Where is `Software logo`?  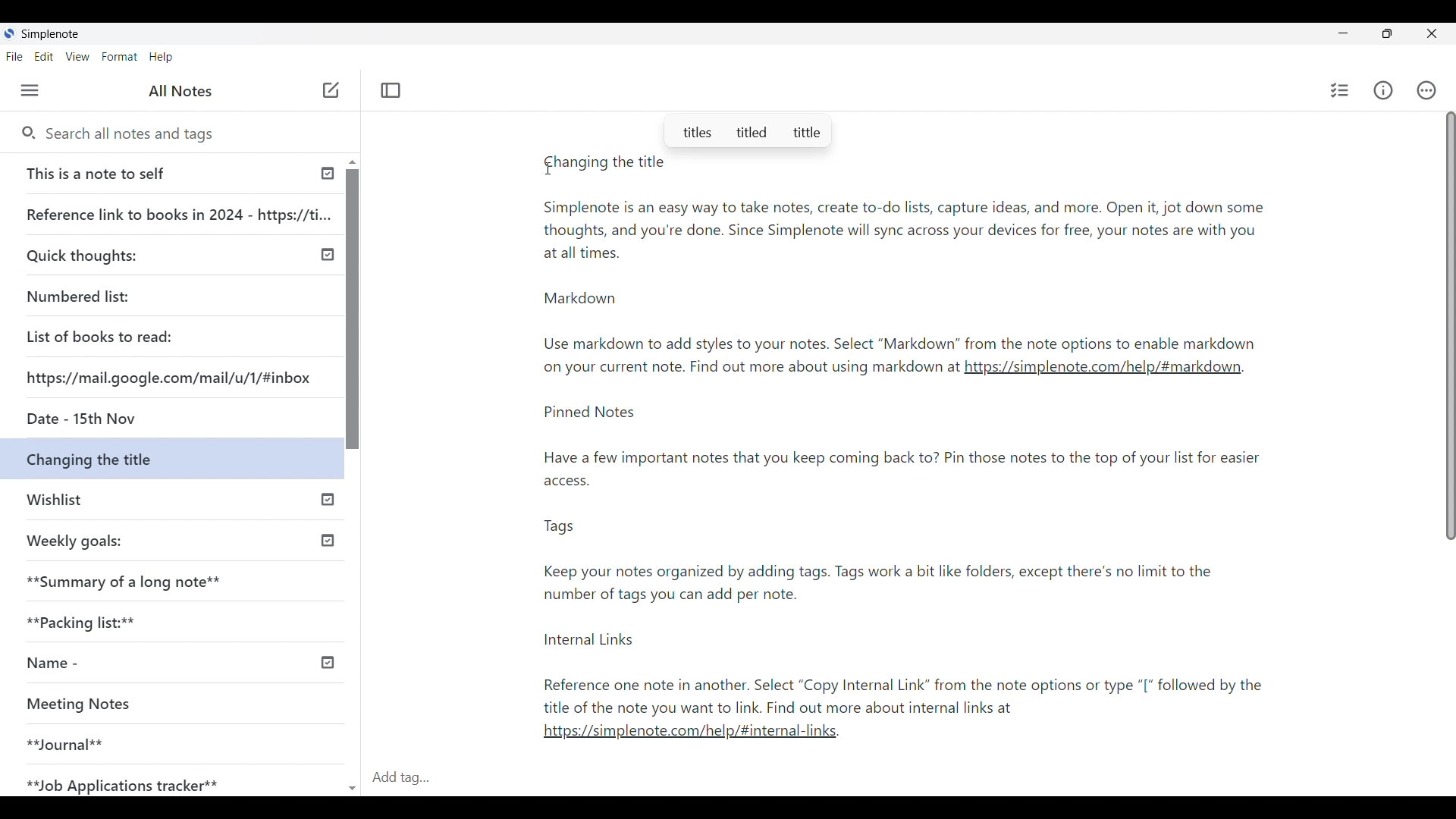
Software logo is located at coordinates (9, 33).